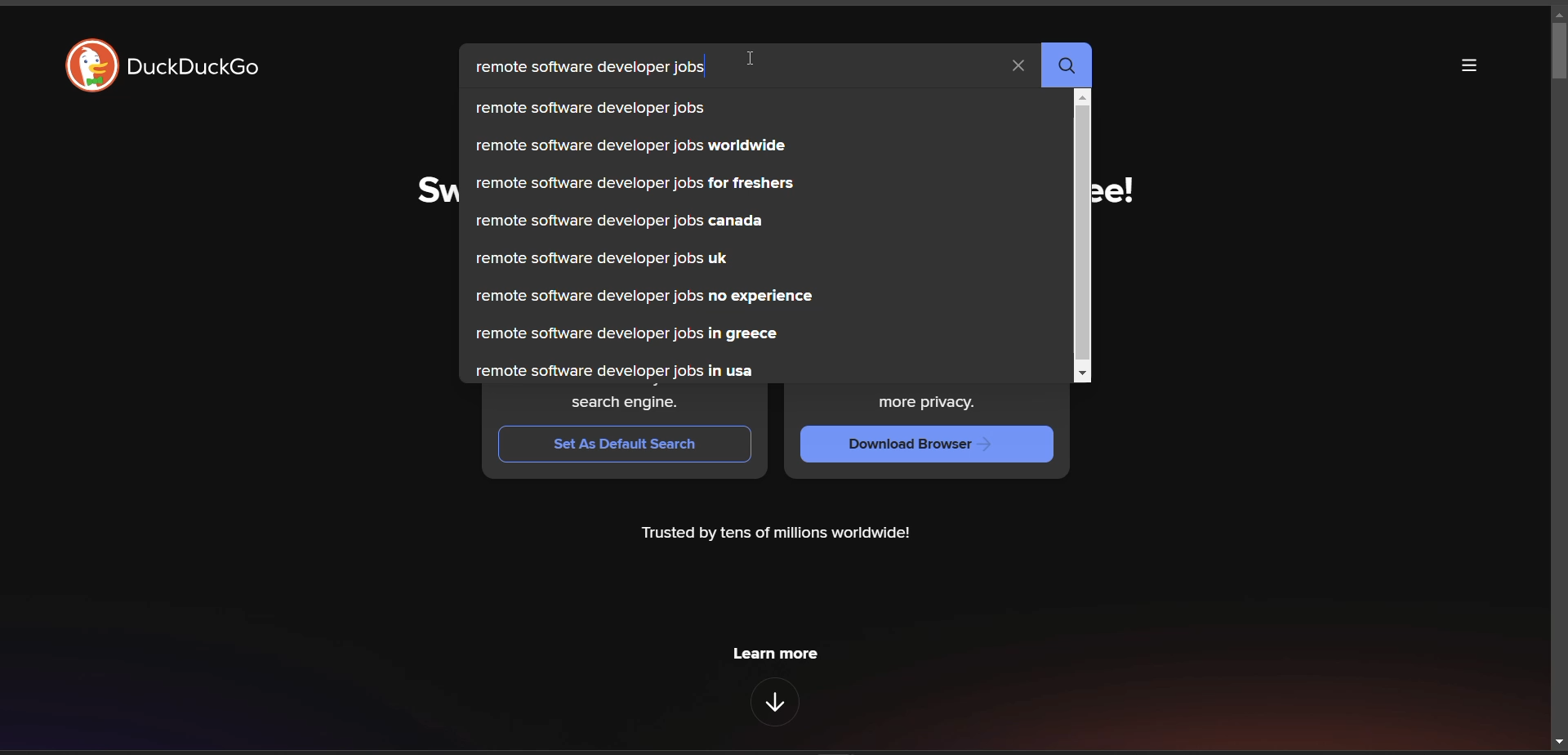 The height and width of the screenshot is (755, 1568). I want to click on remote software developer jobs, so click(597, 108).